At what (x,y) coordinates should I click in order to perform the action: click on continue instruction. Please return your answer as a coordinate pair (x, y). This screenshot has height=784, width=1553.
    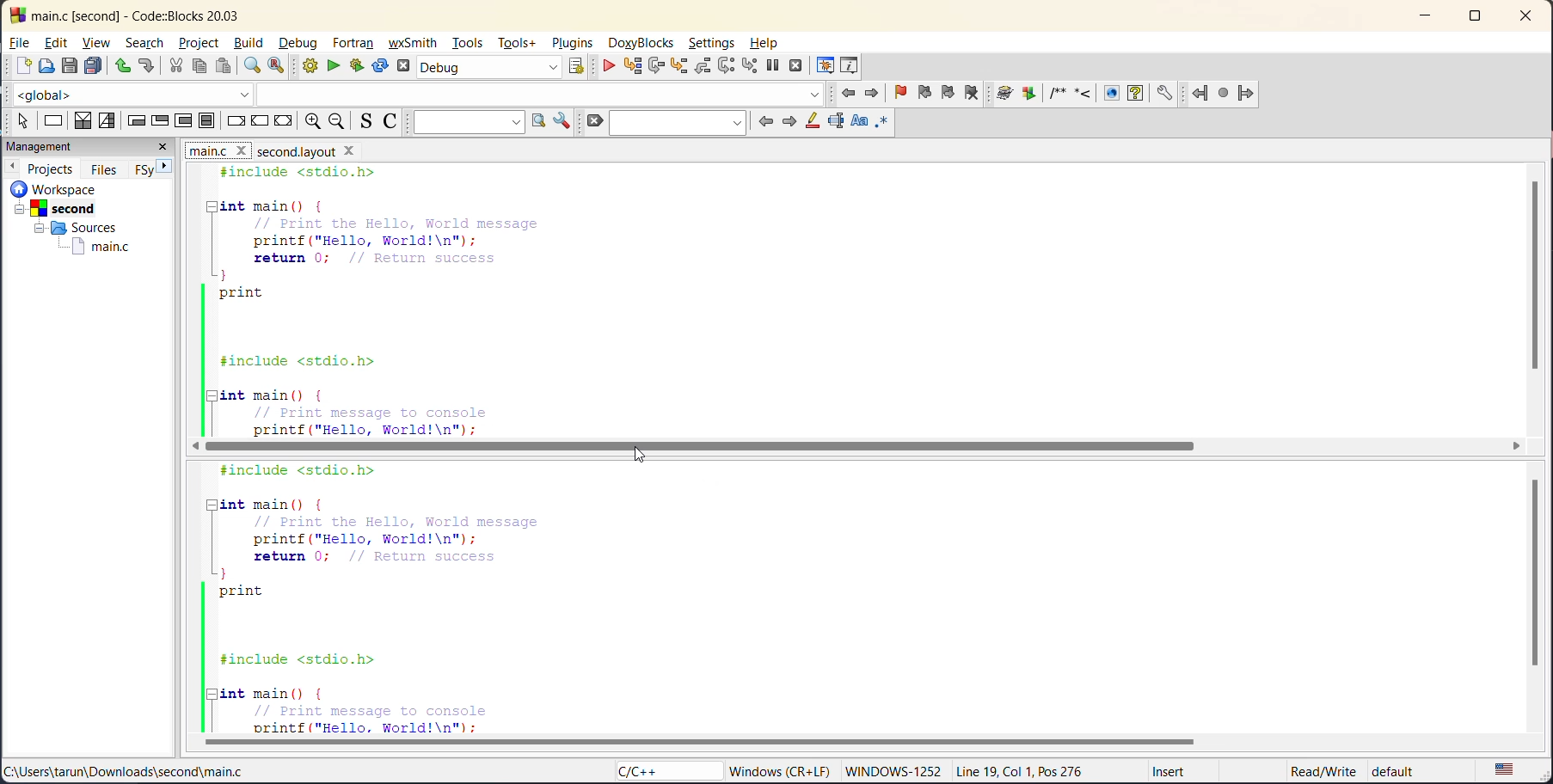
    Looking at the image, I should click on (258, 120).